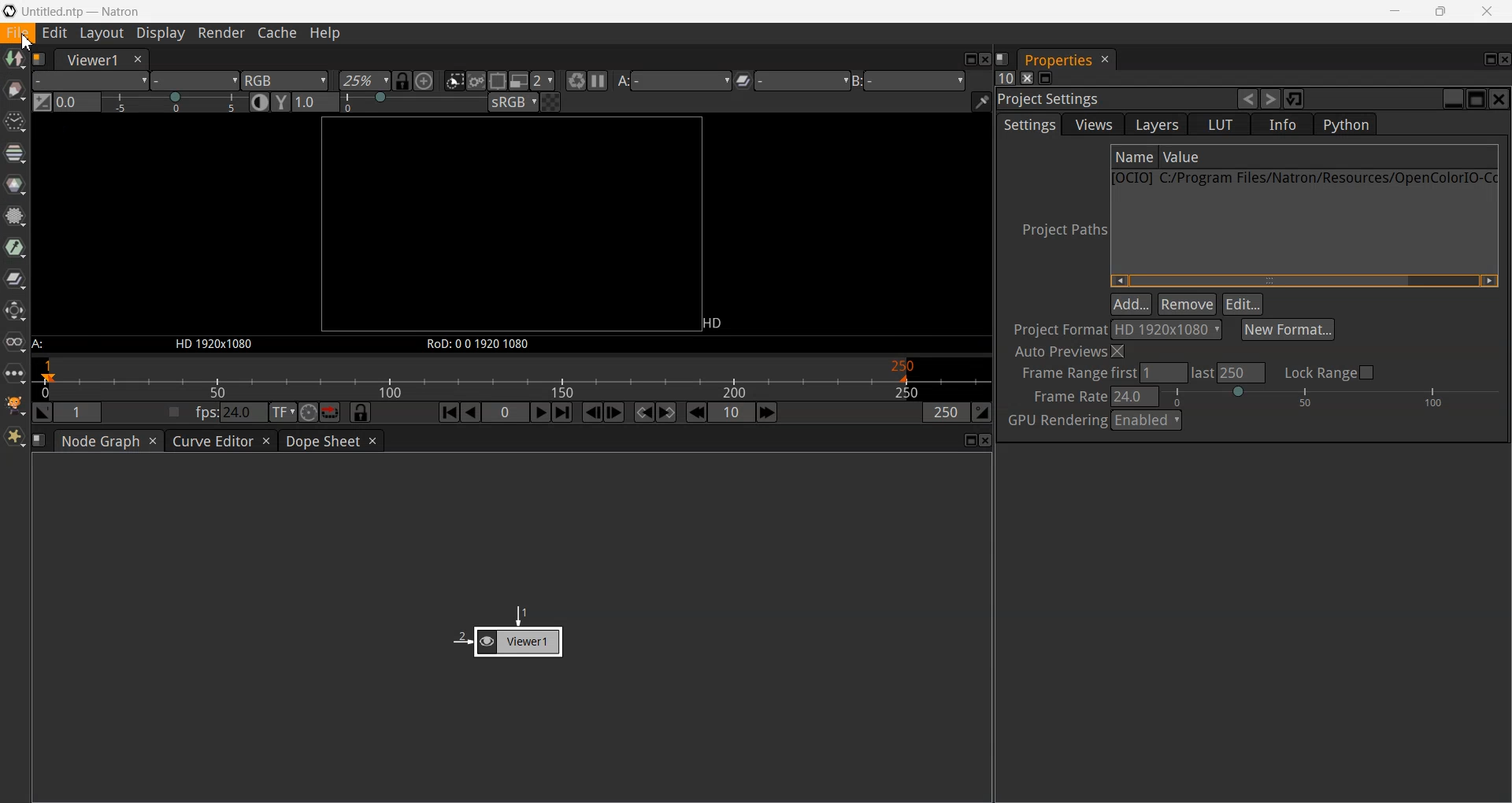 The image size is (1512, 803). Describe the element at coordinates (1134, 157) in the screenshot. I see `Name of file` at that location.